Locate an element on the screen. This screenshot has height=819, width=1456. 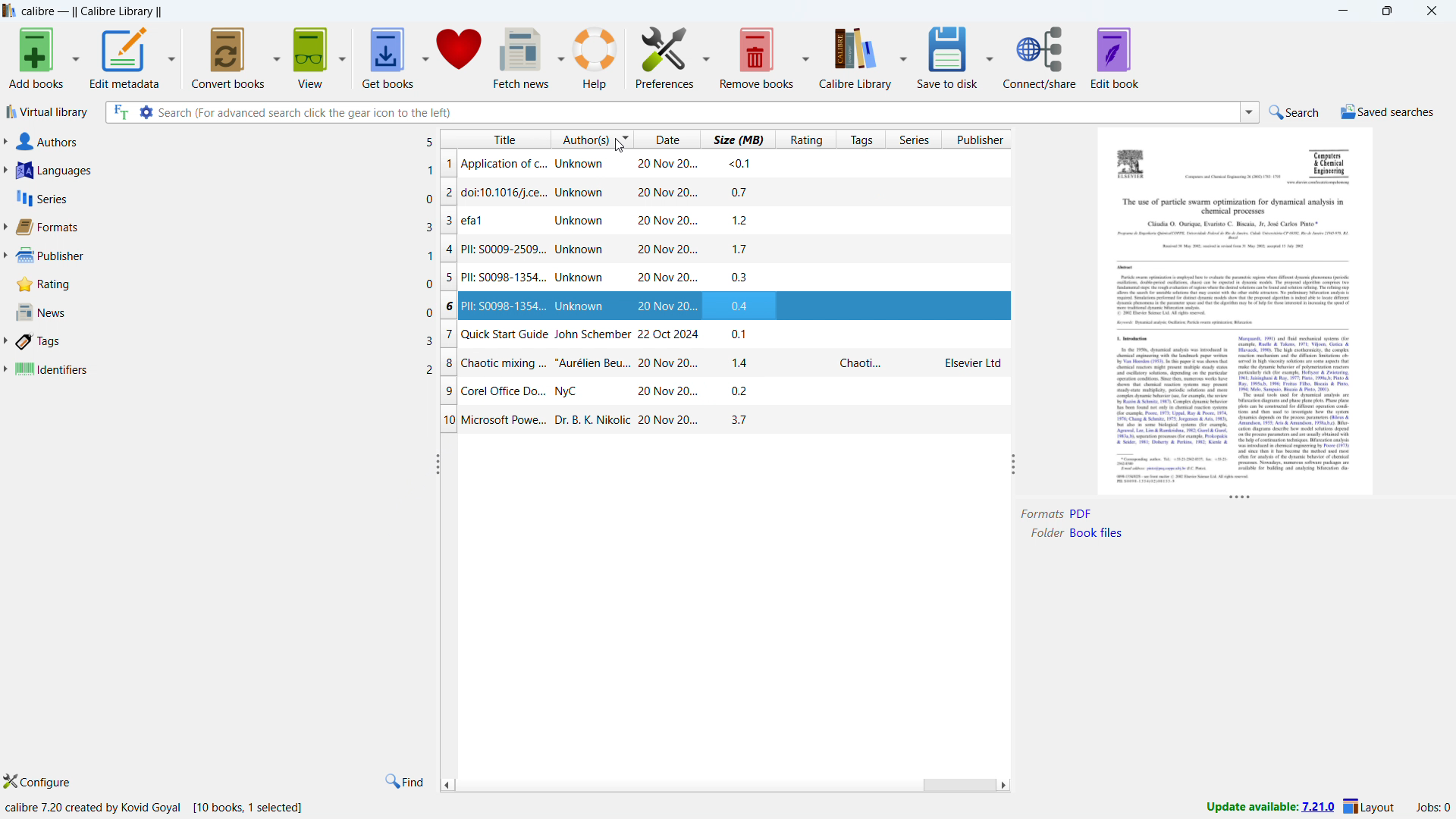
PII: S0009-2509... Unknown 20 Nov 20... is located at coordinates (581, 246).